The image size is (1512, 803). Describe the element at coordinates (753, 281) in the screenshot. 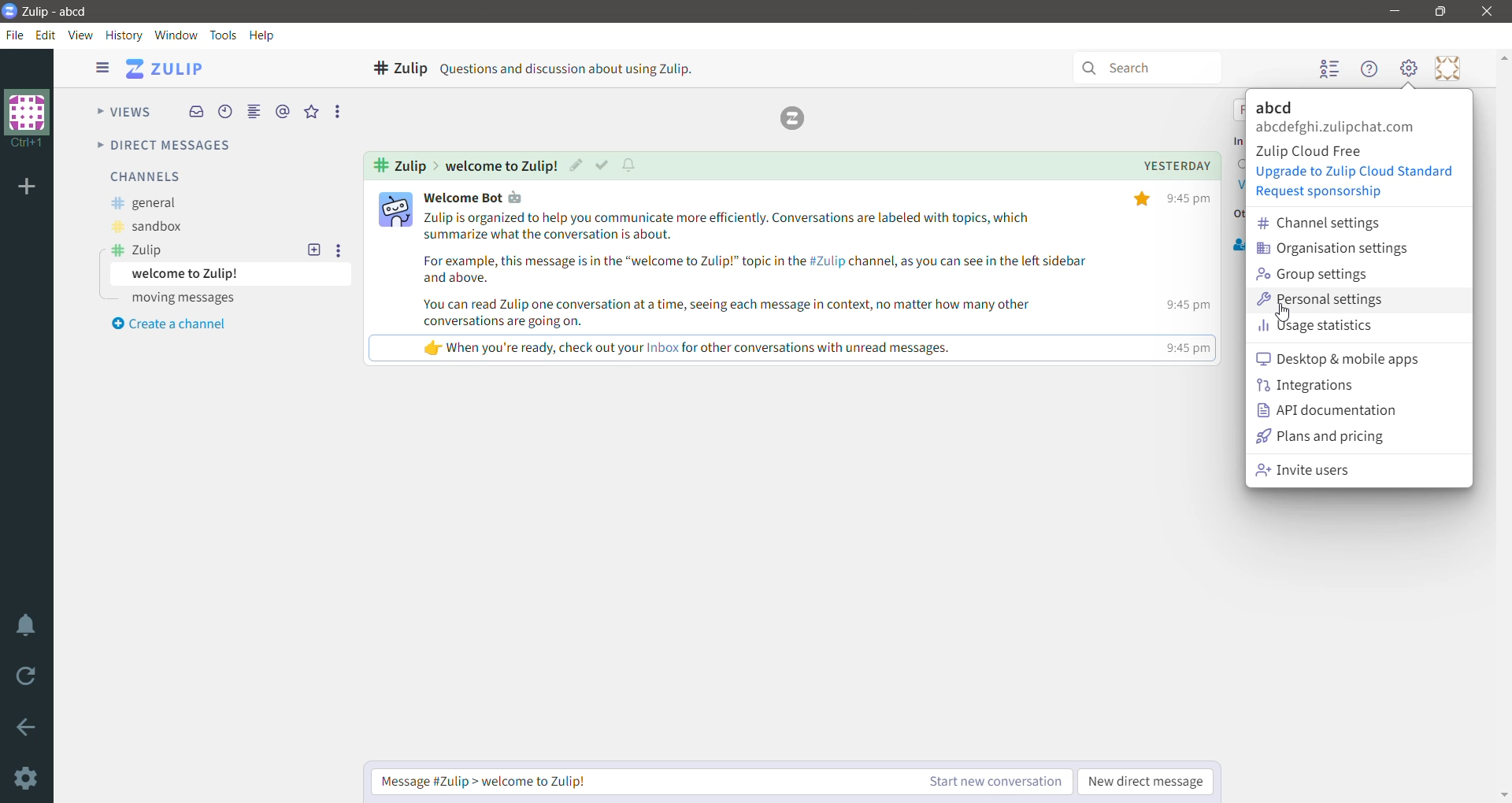

I see `message` at that location.